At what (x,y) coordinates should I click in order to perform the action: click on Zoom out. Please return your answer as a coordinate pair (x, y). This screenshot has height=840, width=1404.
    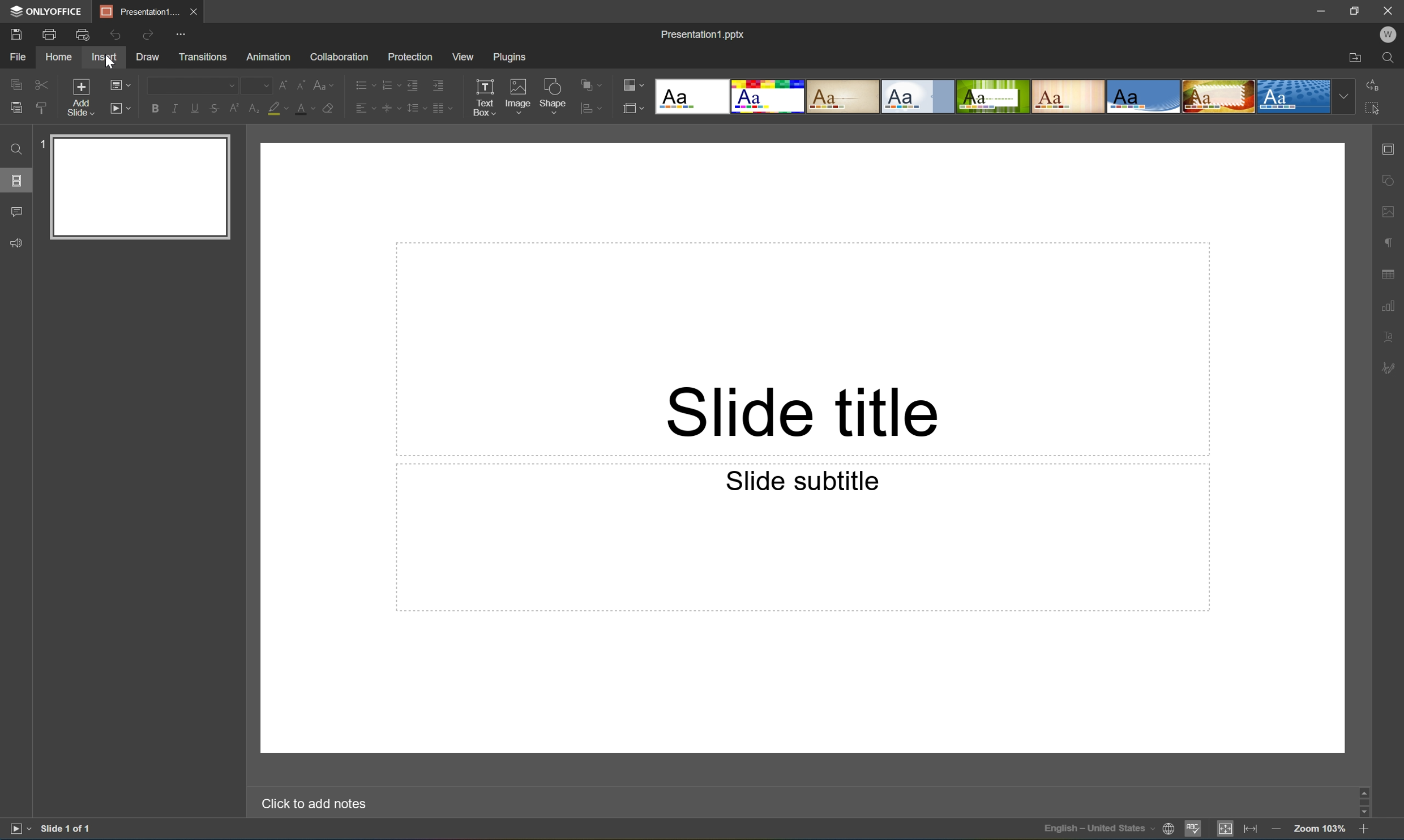
    Looking at the image, I should click on (1273, 827).